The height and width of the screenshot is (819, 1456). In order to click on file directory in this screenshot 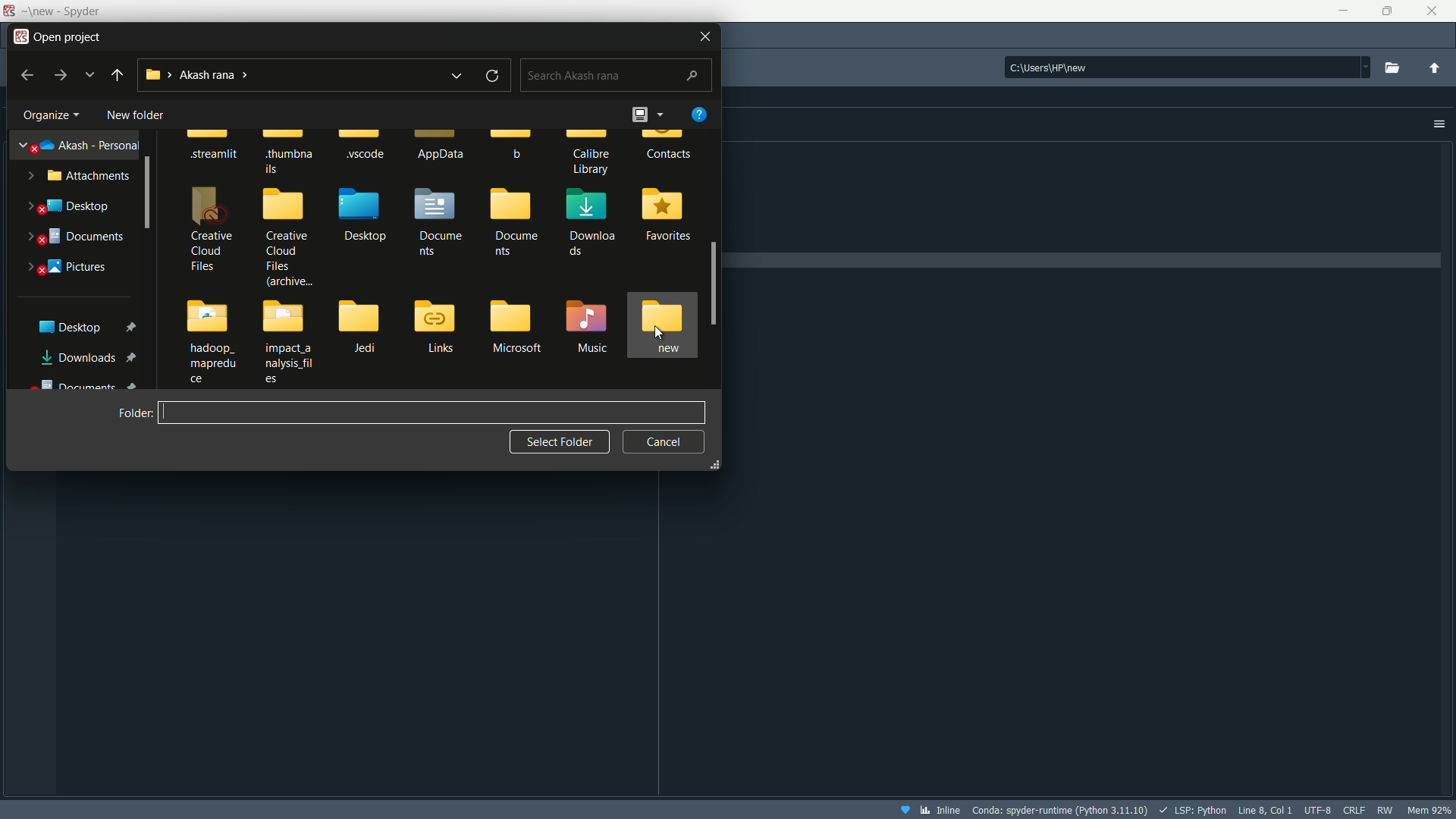, I will do `click(1187, 64)`.